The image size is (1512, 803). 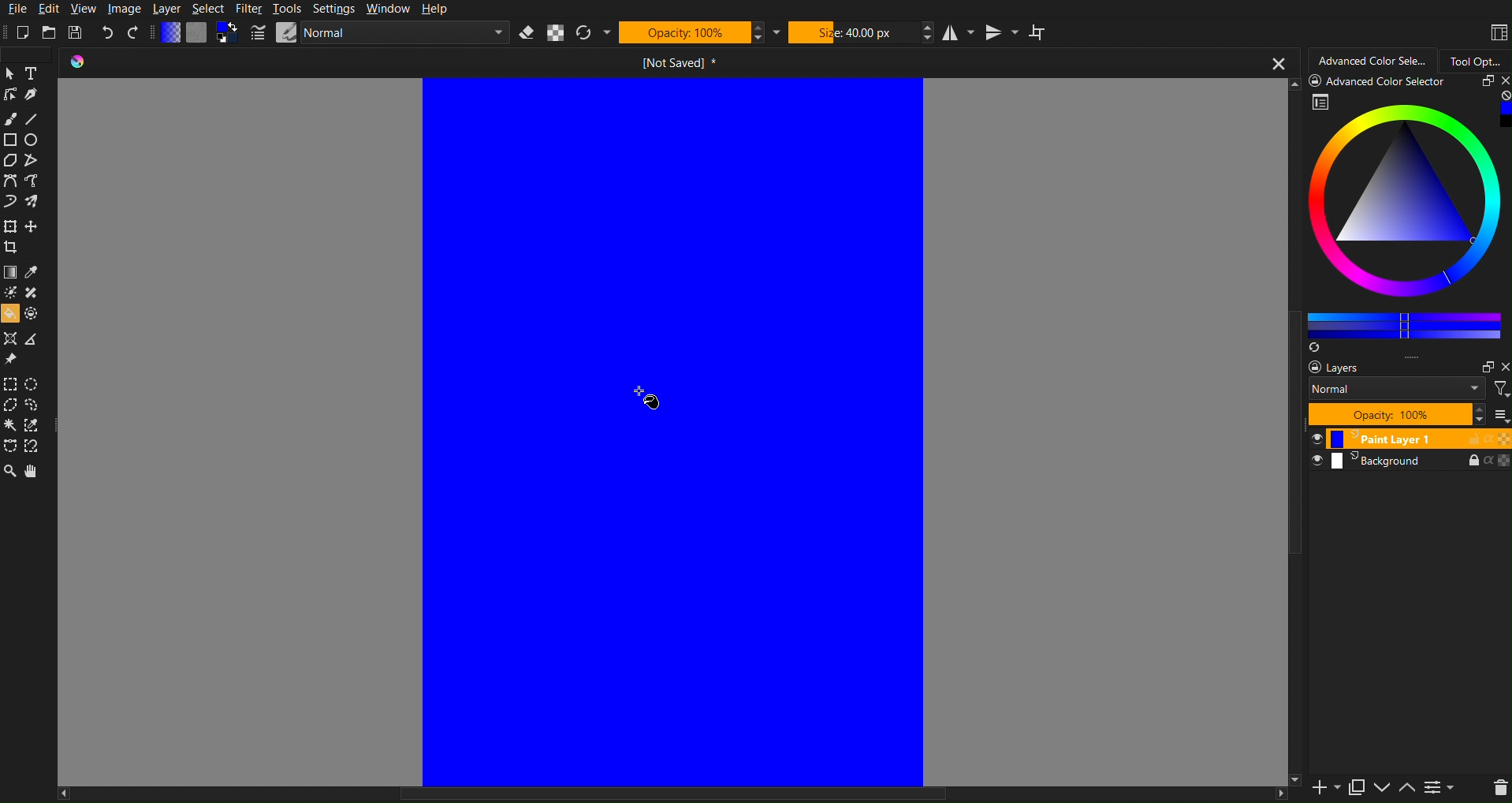 I want to click on Size: 40.00 px, so click(x=862, y=32).